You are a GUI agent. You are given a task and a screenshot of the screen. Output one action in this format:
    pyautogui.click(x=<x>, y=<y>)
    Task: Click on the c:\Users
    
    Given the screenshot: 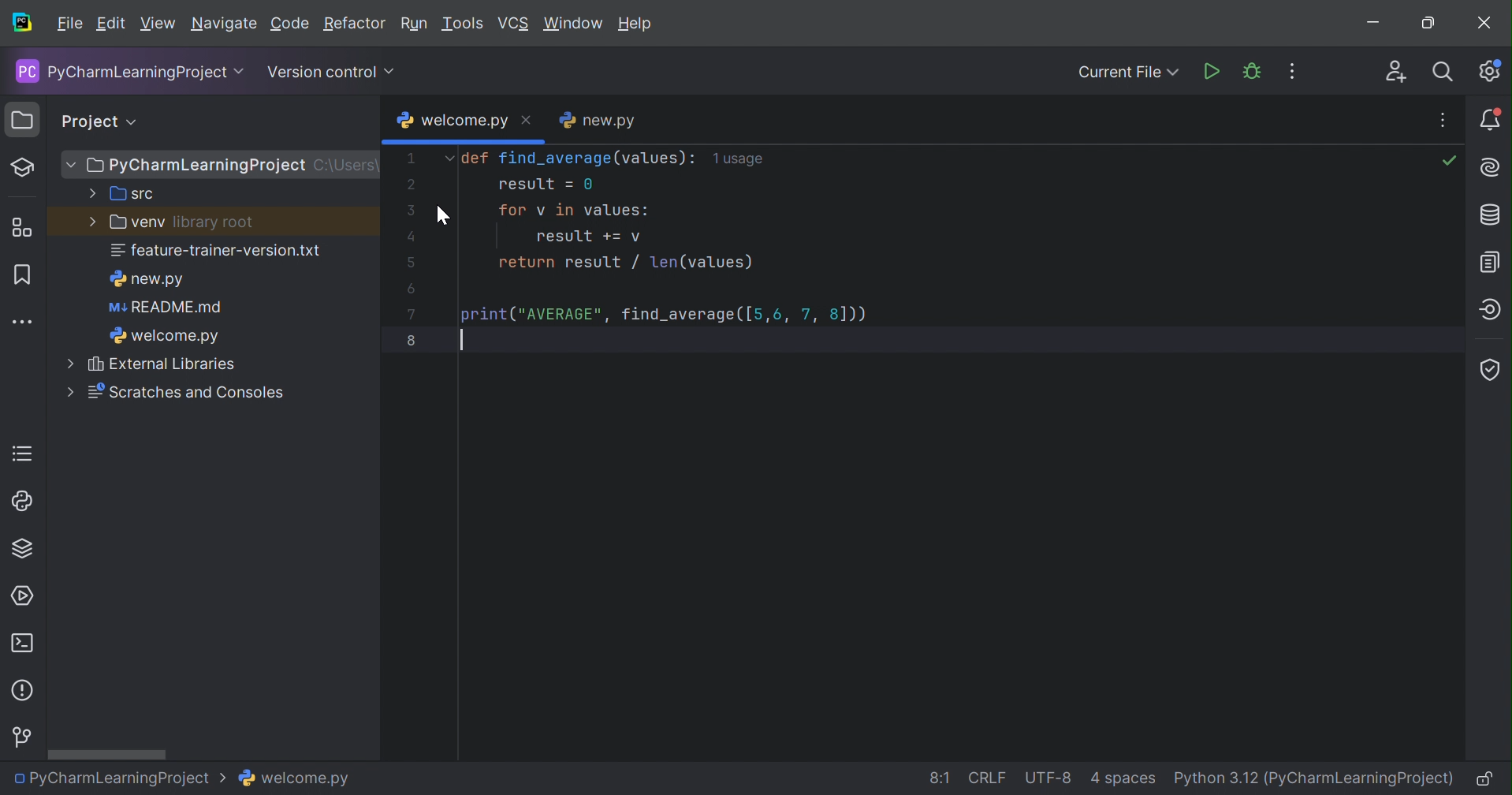 What is the action you would take?
    pyautogui.click(x=348, y=165)
    